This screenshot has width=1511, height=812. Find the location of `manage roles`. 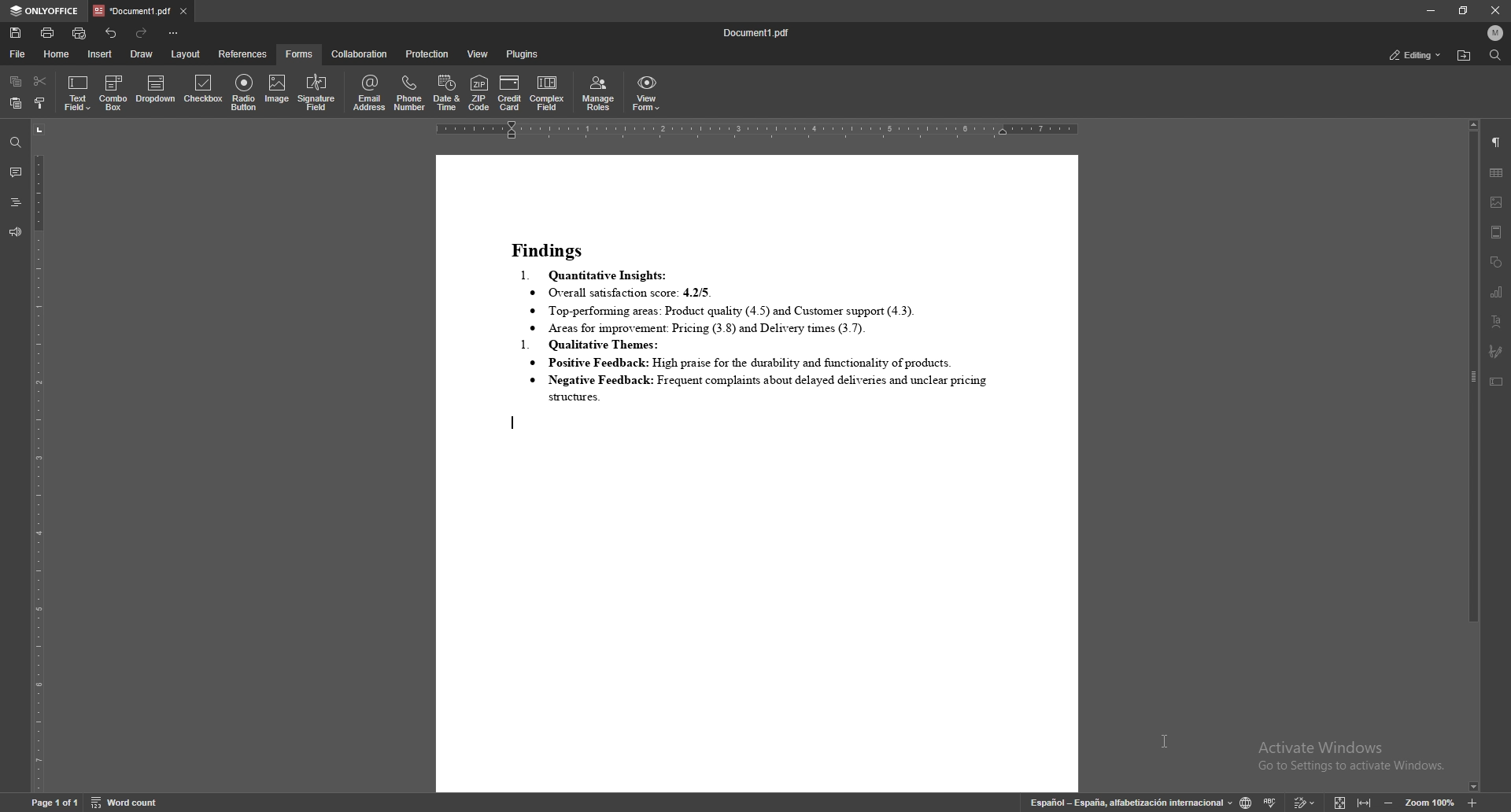

manage roles is located at coordinates (599, 94).